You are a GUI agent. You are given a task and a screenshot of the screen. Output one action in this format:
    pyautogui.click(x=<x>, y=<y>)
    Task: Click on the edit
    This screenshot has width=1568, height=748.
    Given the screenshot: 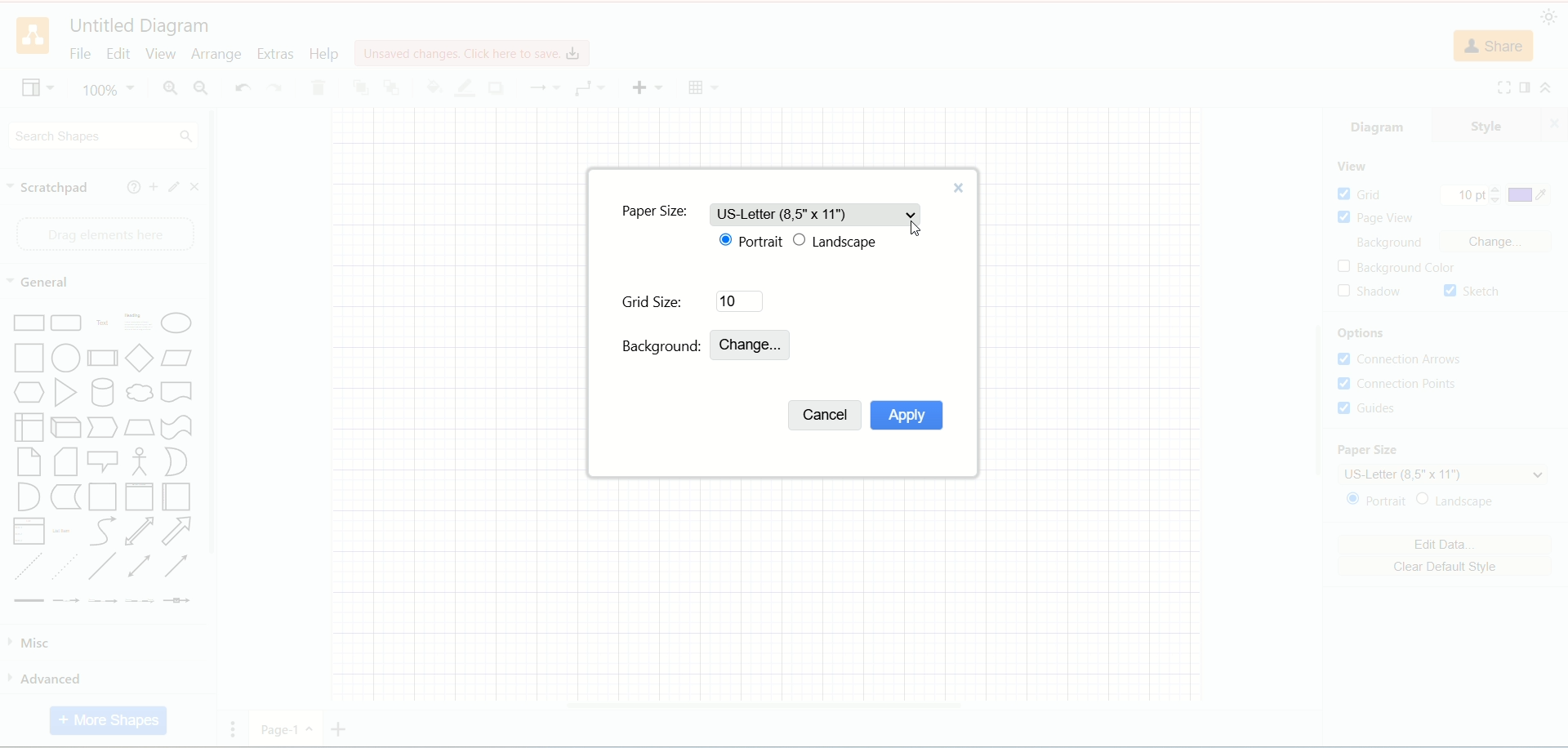 What is the action you would take?
    pyautogui.click(x=120, y=53)
    